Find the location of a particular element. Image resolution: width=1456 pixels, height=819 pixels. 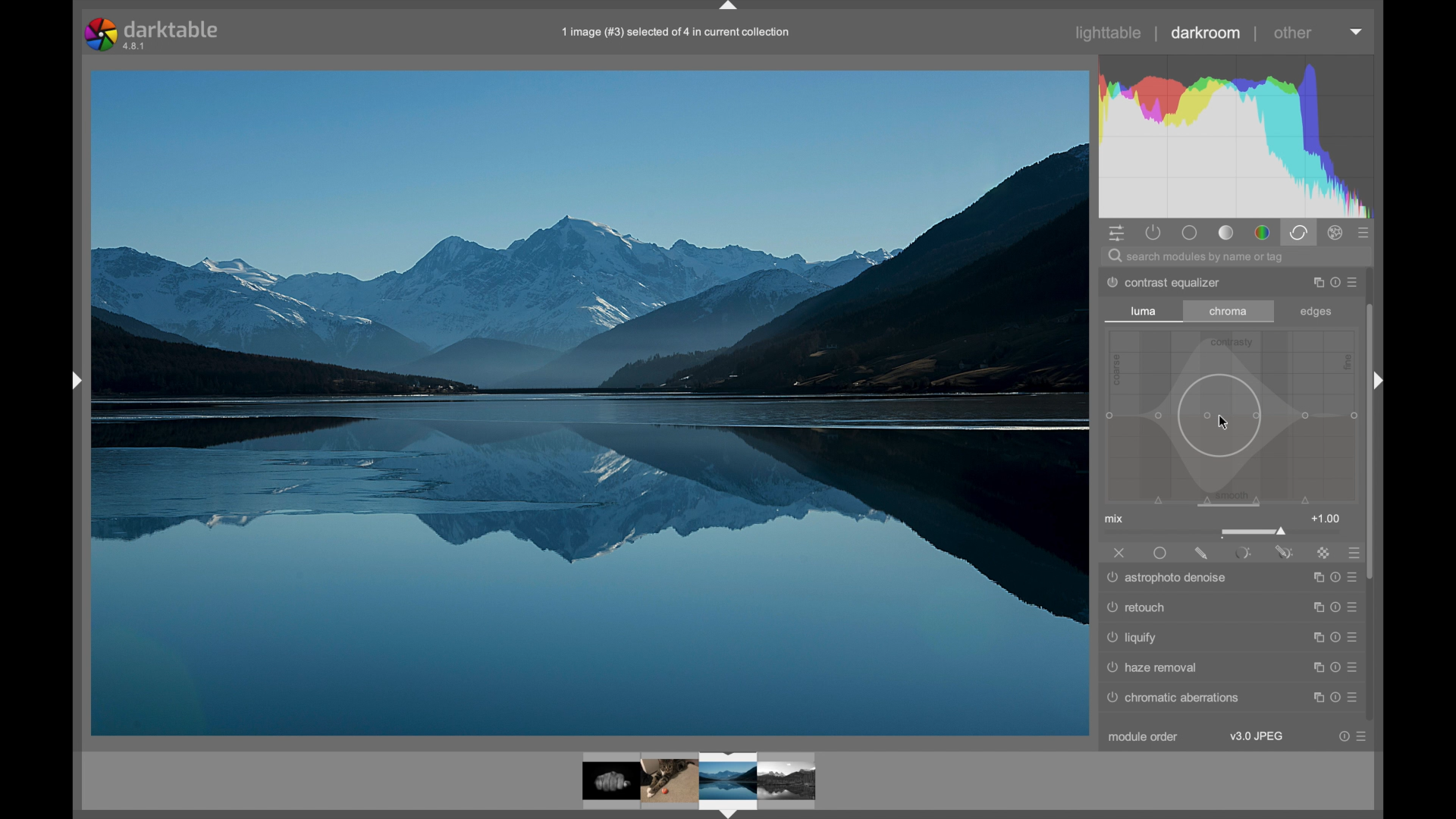

mix is located at coordinates (1114, 519).